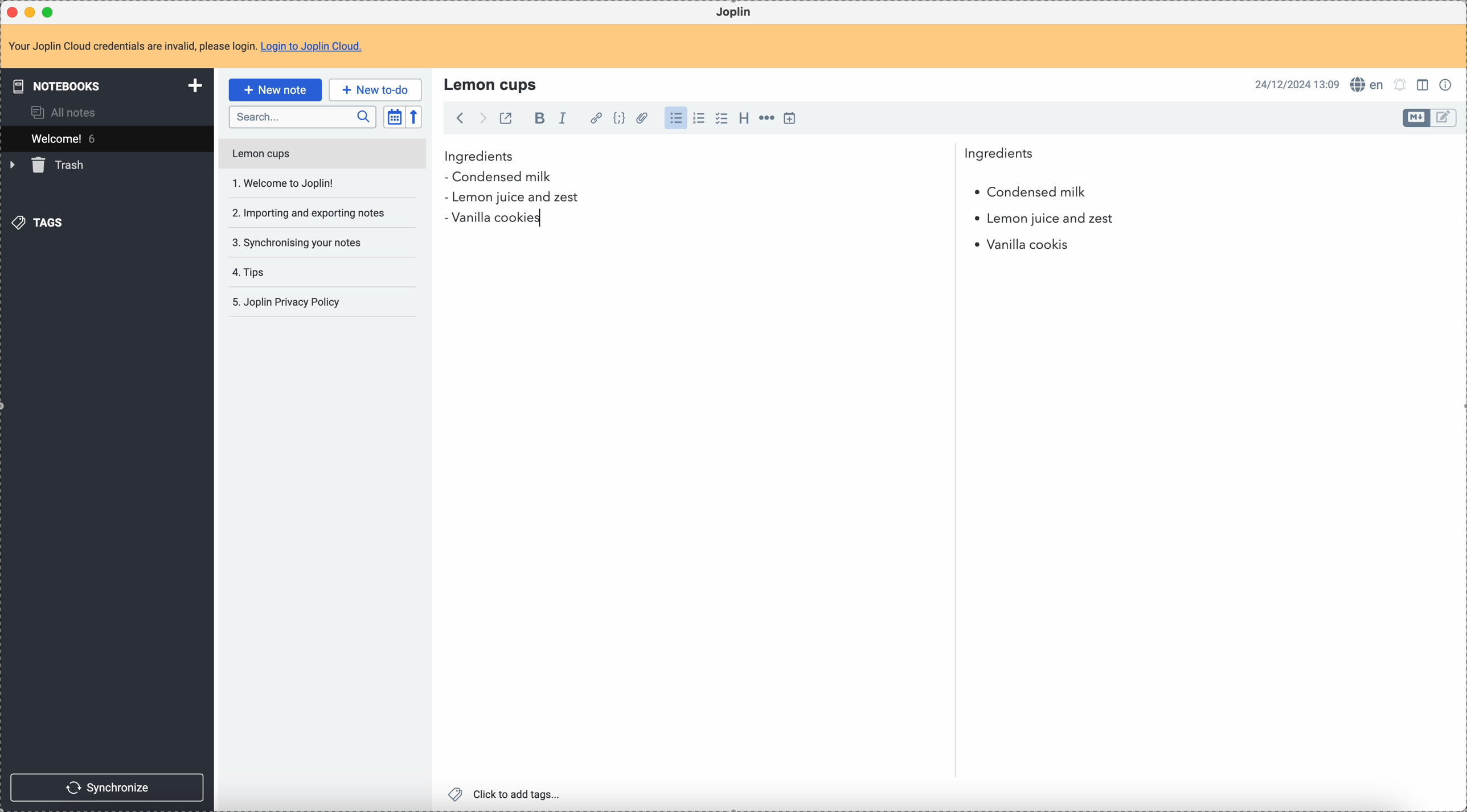 The height and width of the screenshot is (812, 1467). What do you see at coordinates (416, 117) in the screenshot?
I see `reverse sort order` at bounding box center [416, 117].